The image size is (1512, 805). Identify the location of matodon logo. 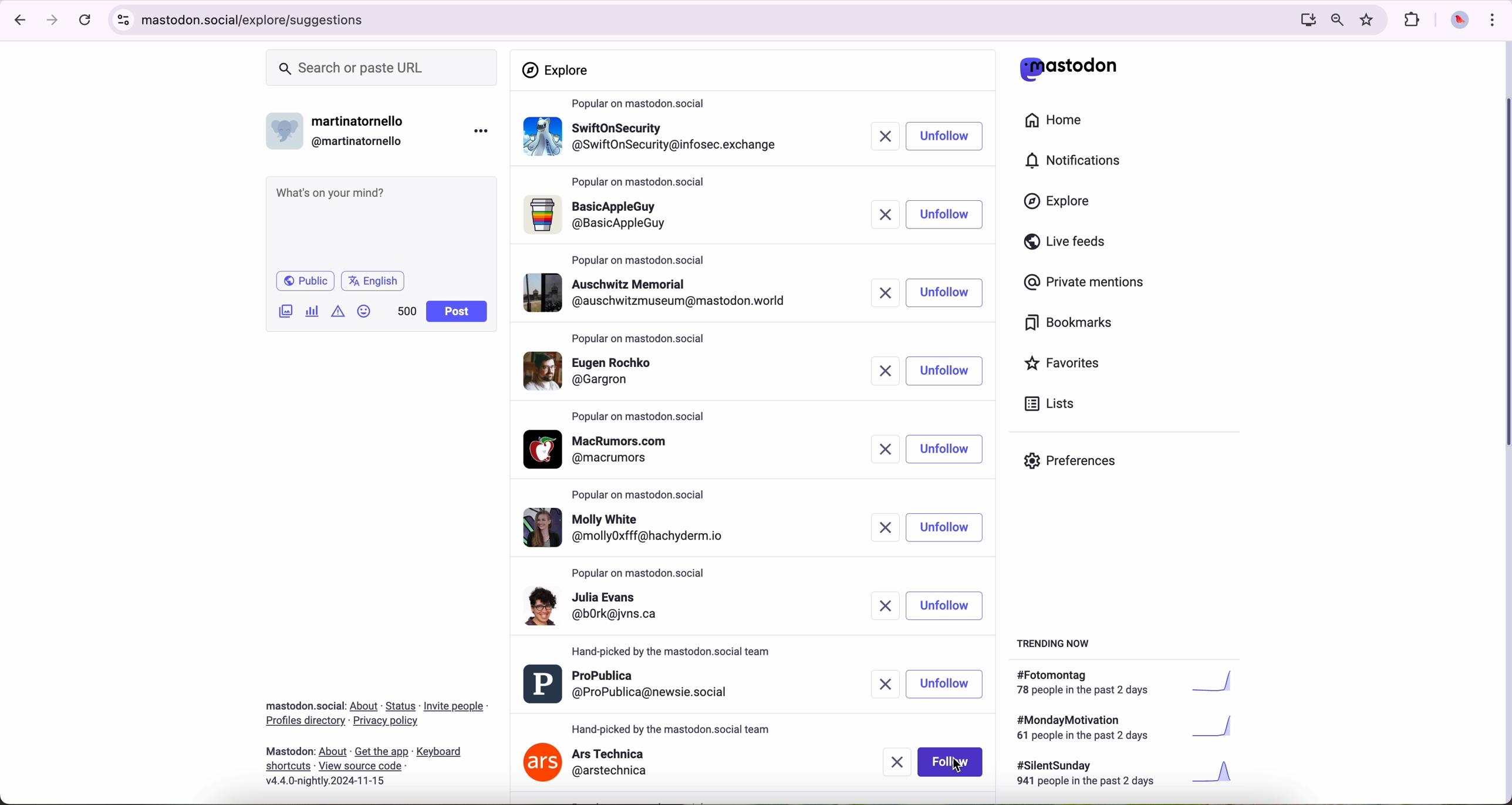
(1069, 69).